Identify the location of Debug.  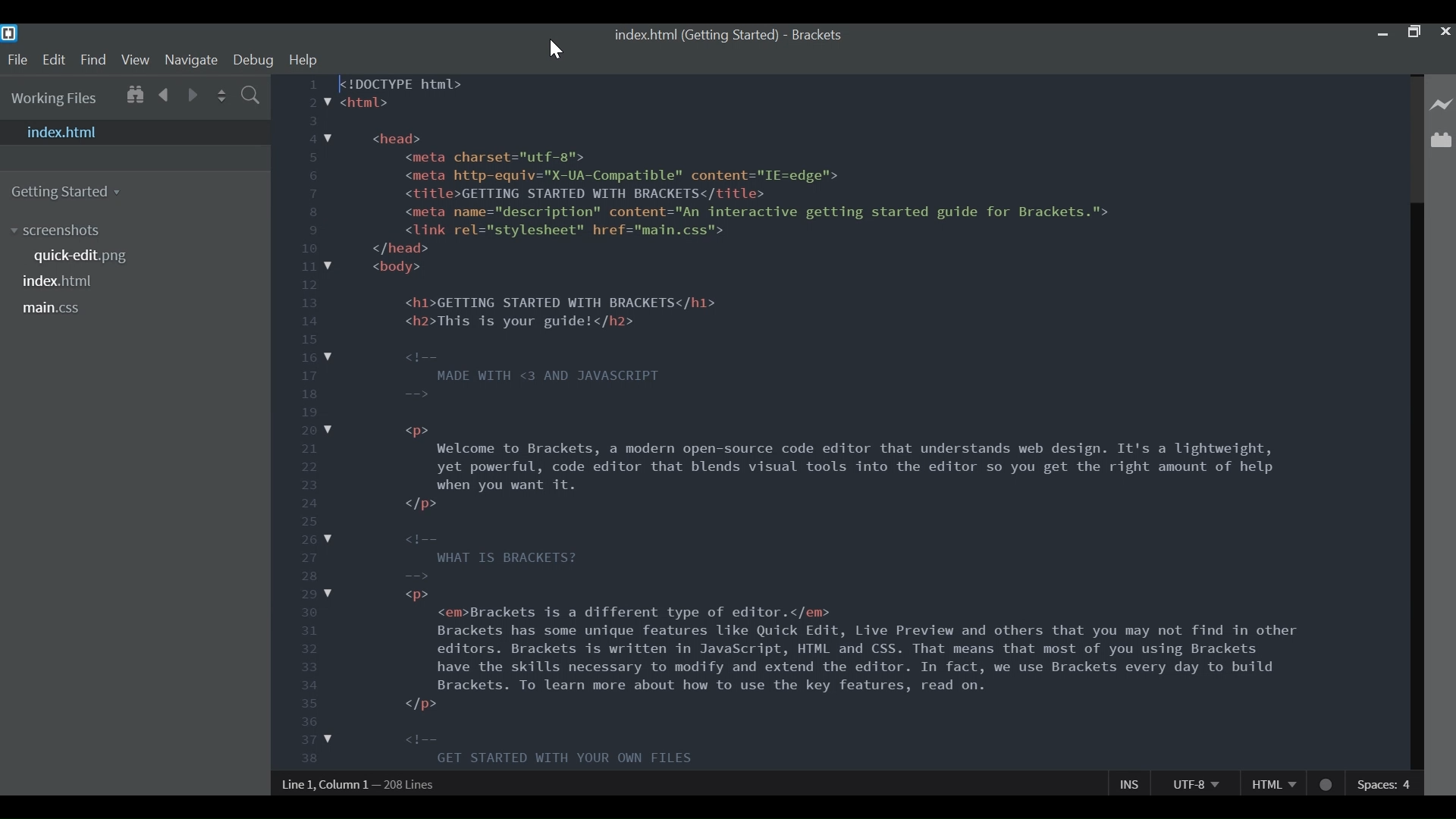
(254, 61).